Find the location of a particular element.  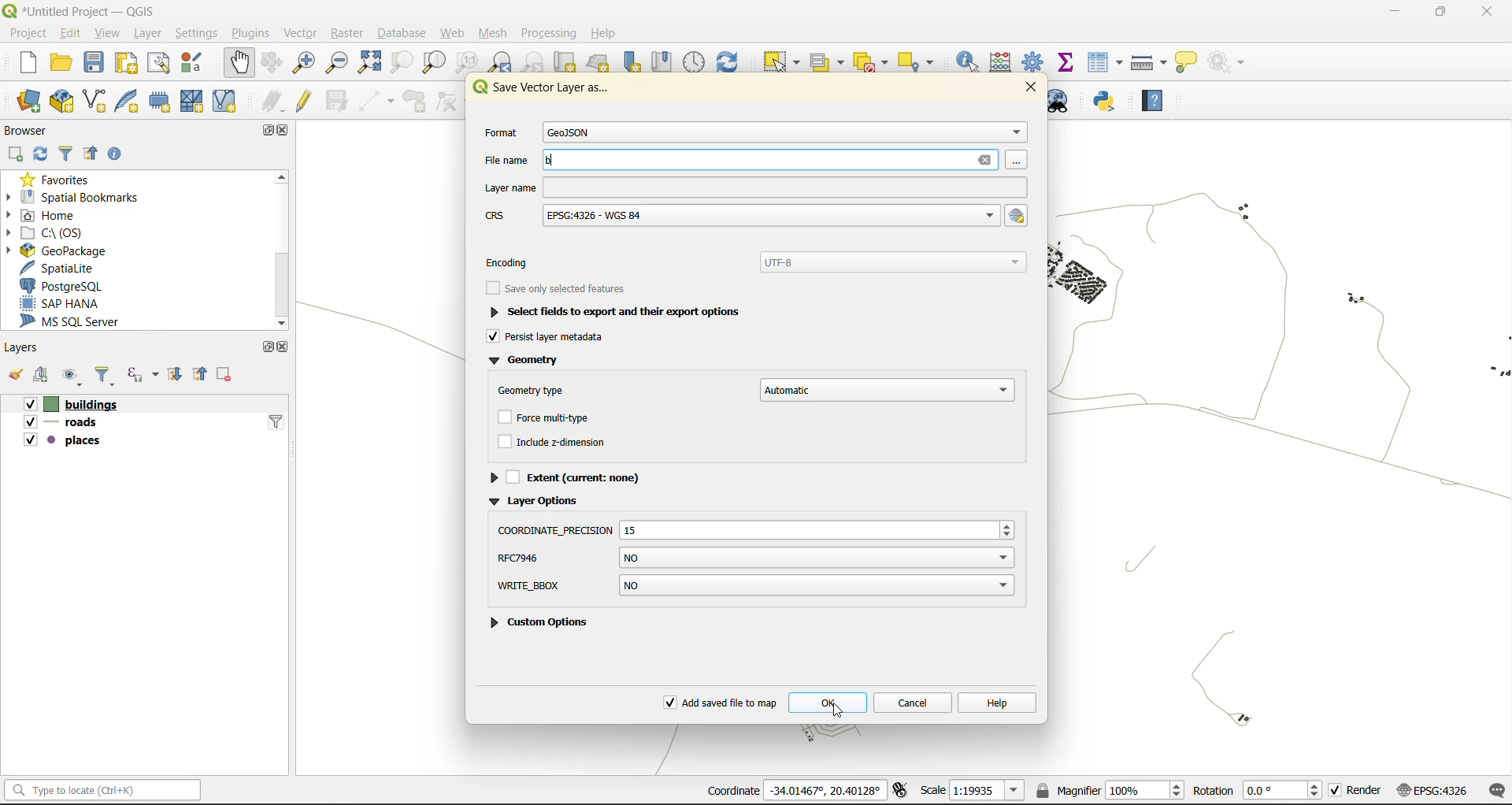

open is located at coordinates (13, 376).